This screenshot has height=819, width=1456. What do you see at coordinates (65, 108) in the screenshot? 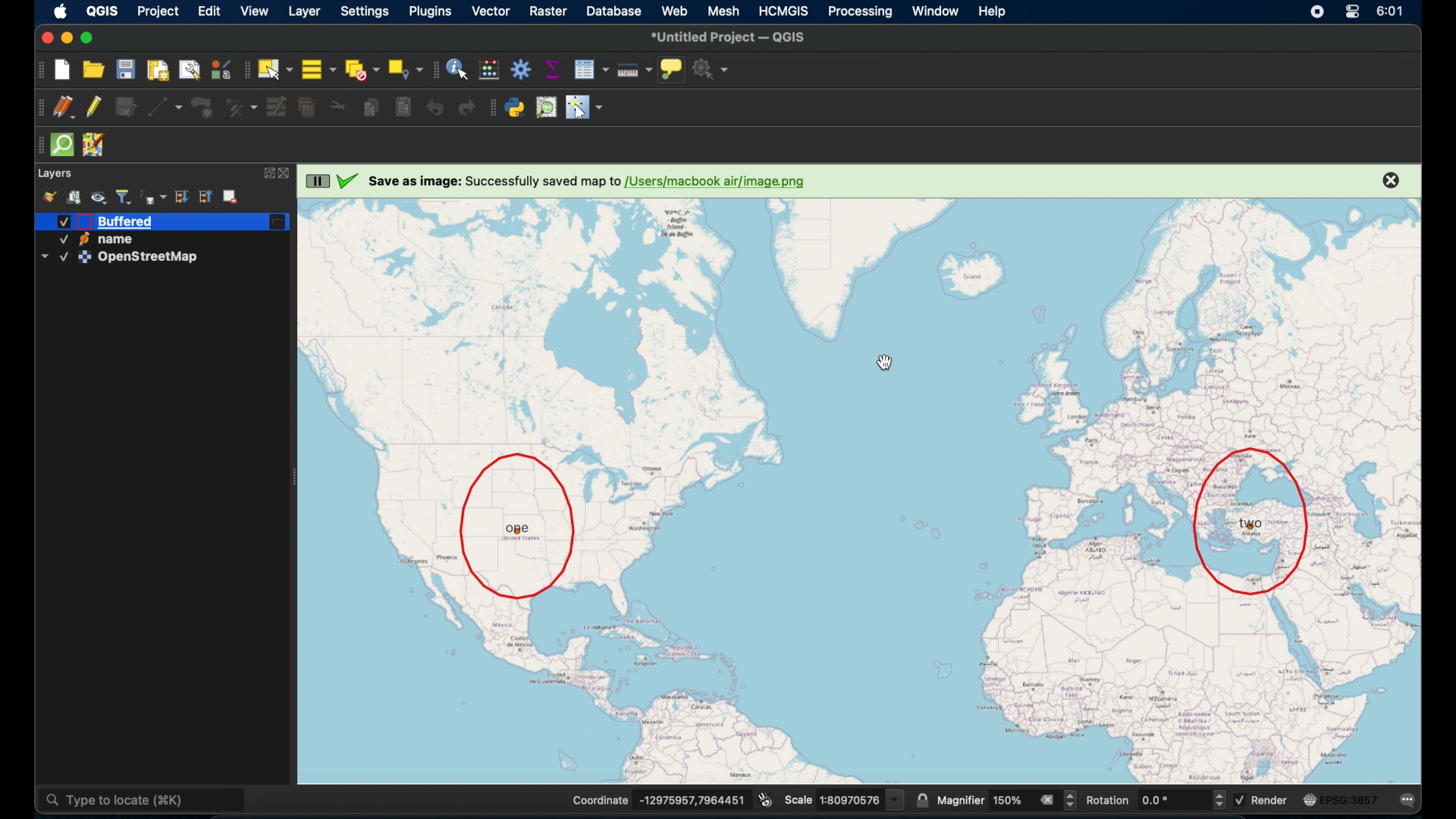
I see `current edits` at bounding box center [65, 108].